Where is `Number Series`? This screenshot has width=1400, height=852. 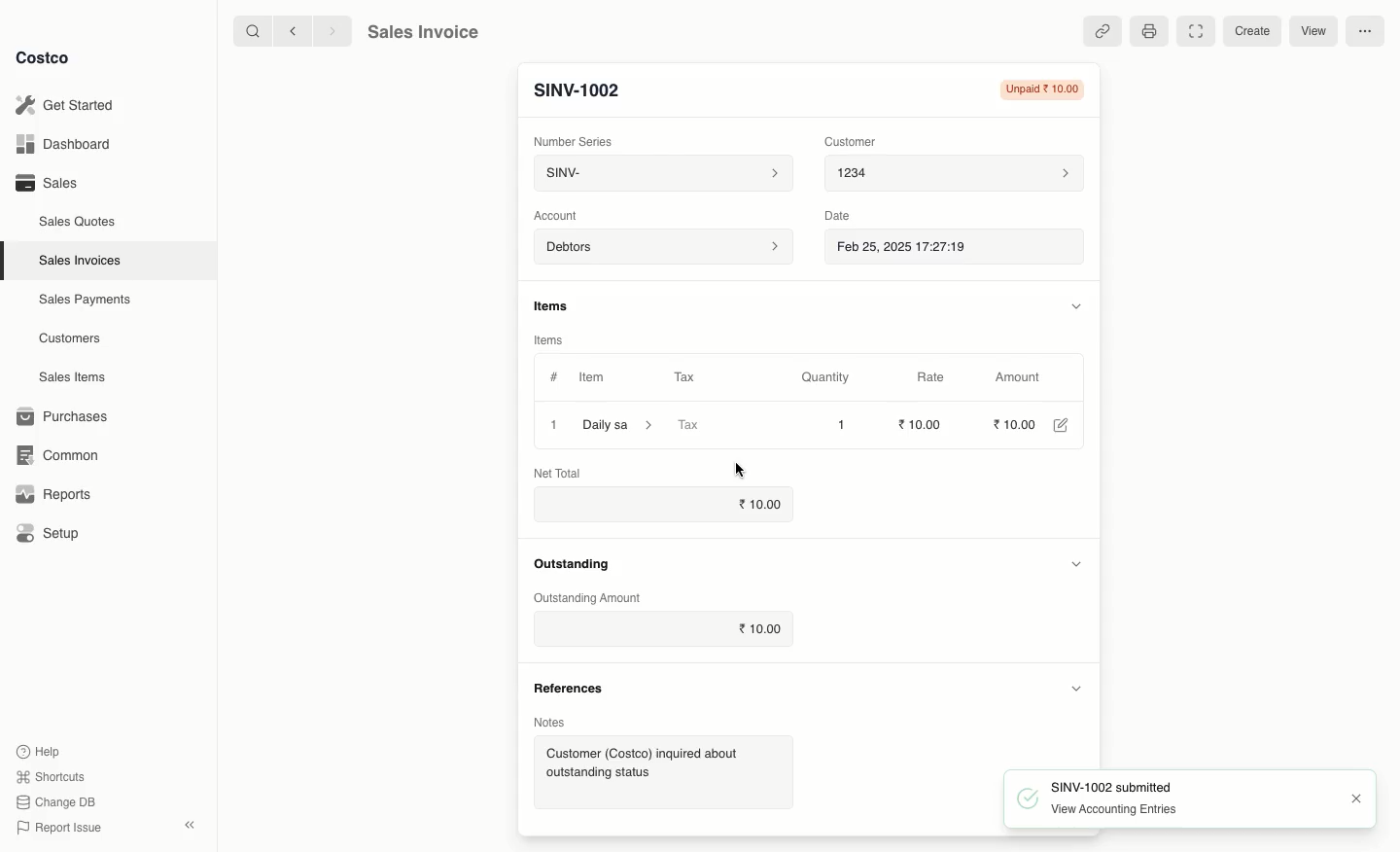
Number Series is located at coordinates (574, 141).